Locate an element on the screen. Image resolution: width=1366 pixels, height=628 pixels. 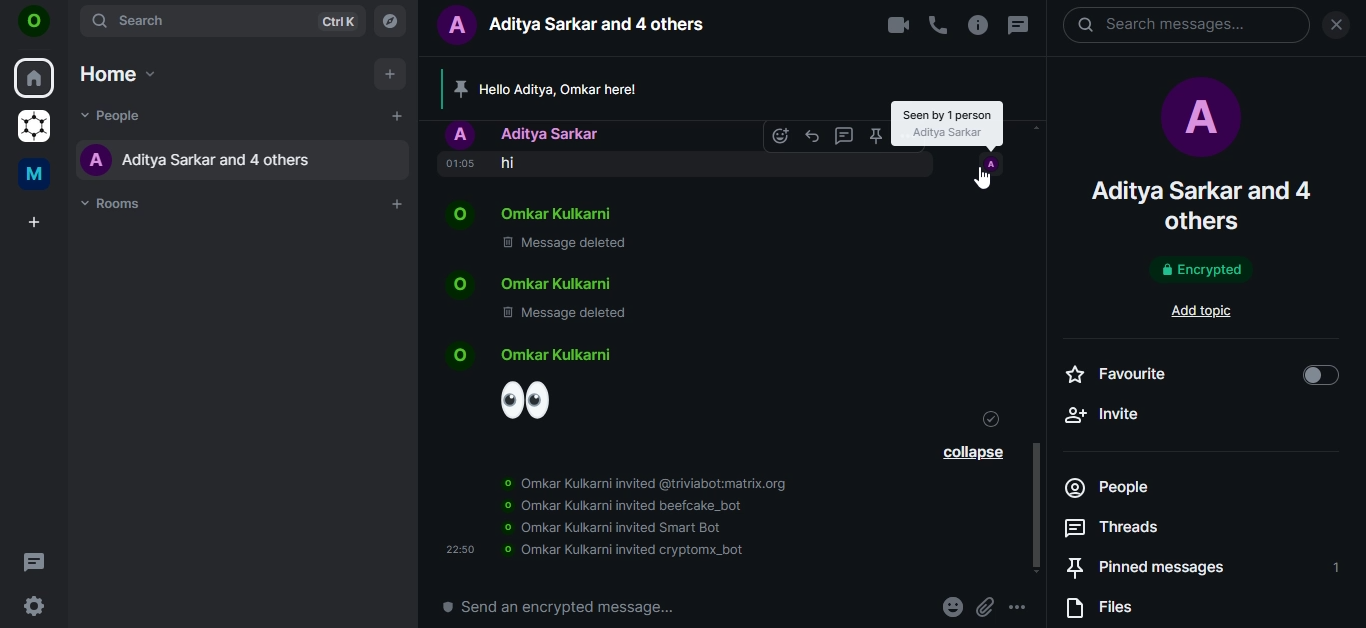
bar is located at coordinates (1045, 318).